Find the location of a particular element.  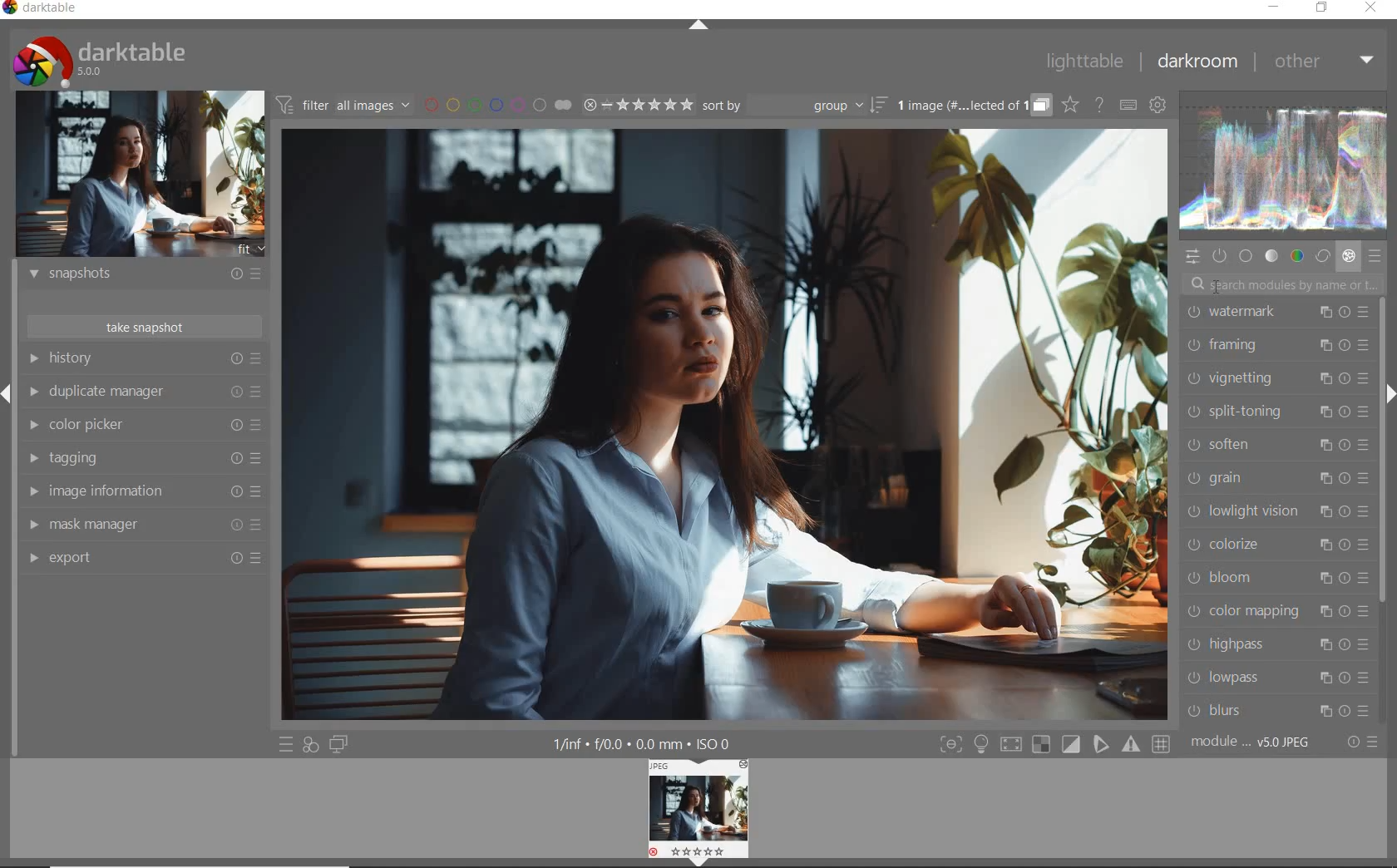

grain is located at coordinates (1278, 479).